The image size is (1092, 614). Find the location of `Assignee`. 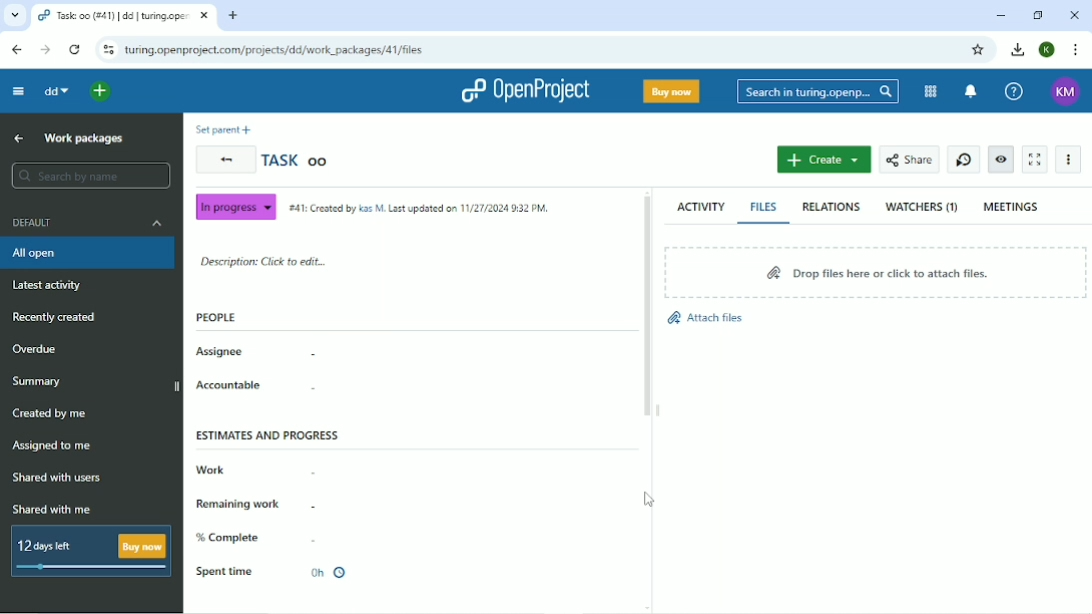

Assignee is located at coordinates (221, 352).